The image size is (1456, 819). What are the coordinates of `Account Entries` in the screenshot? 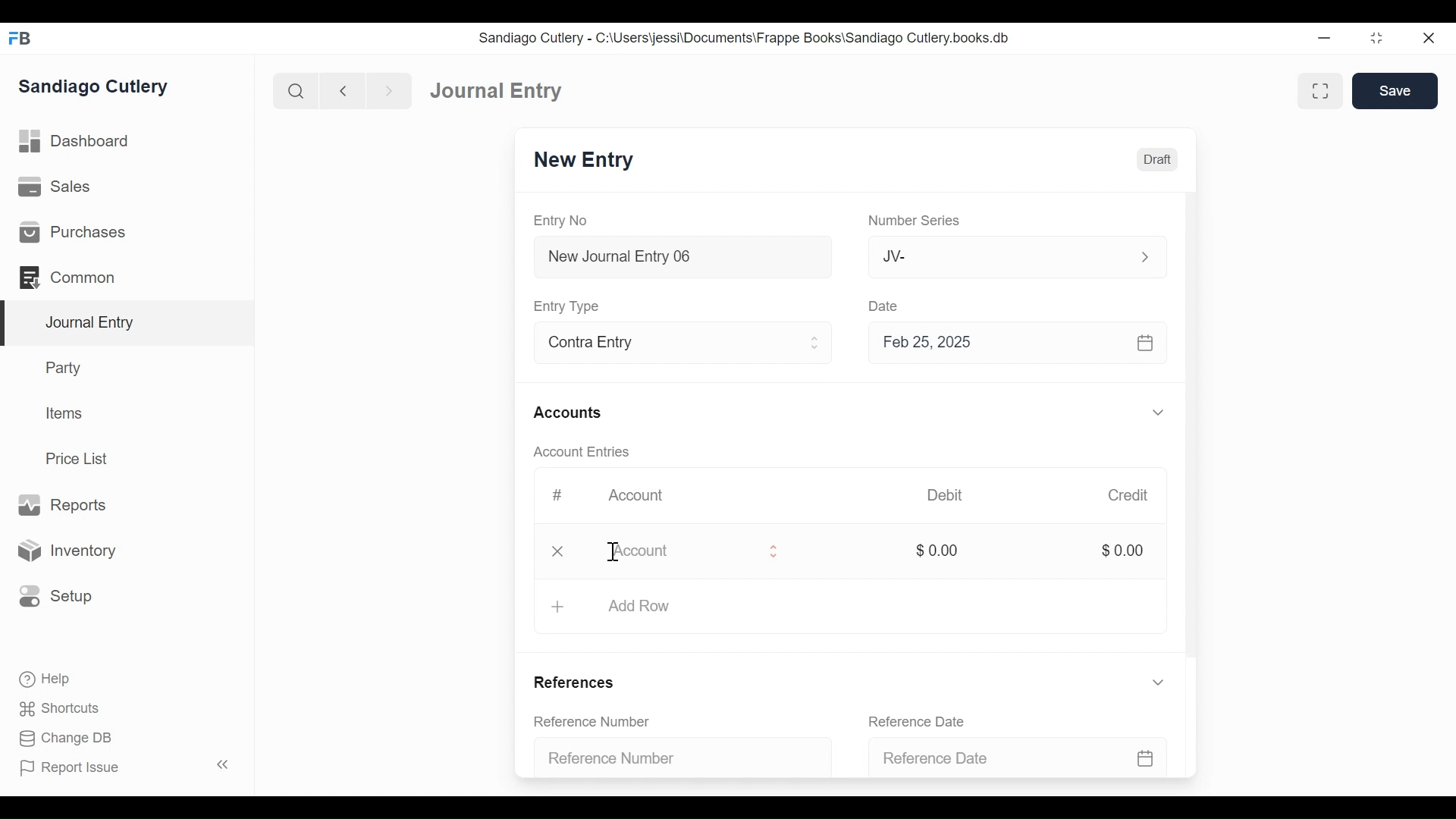 It's located at (585, 452).